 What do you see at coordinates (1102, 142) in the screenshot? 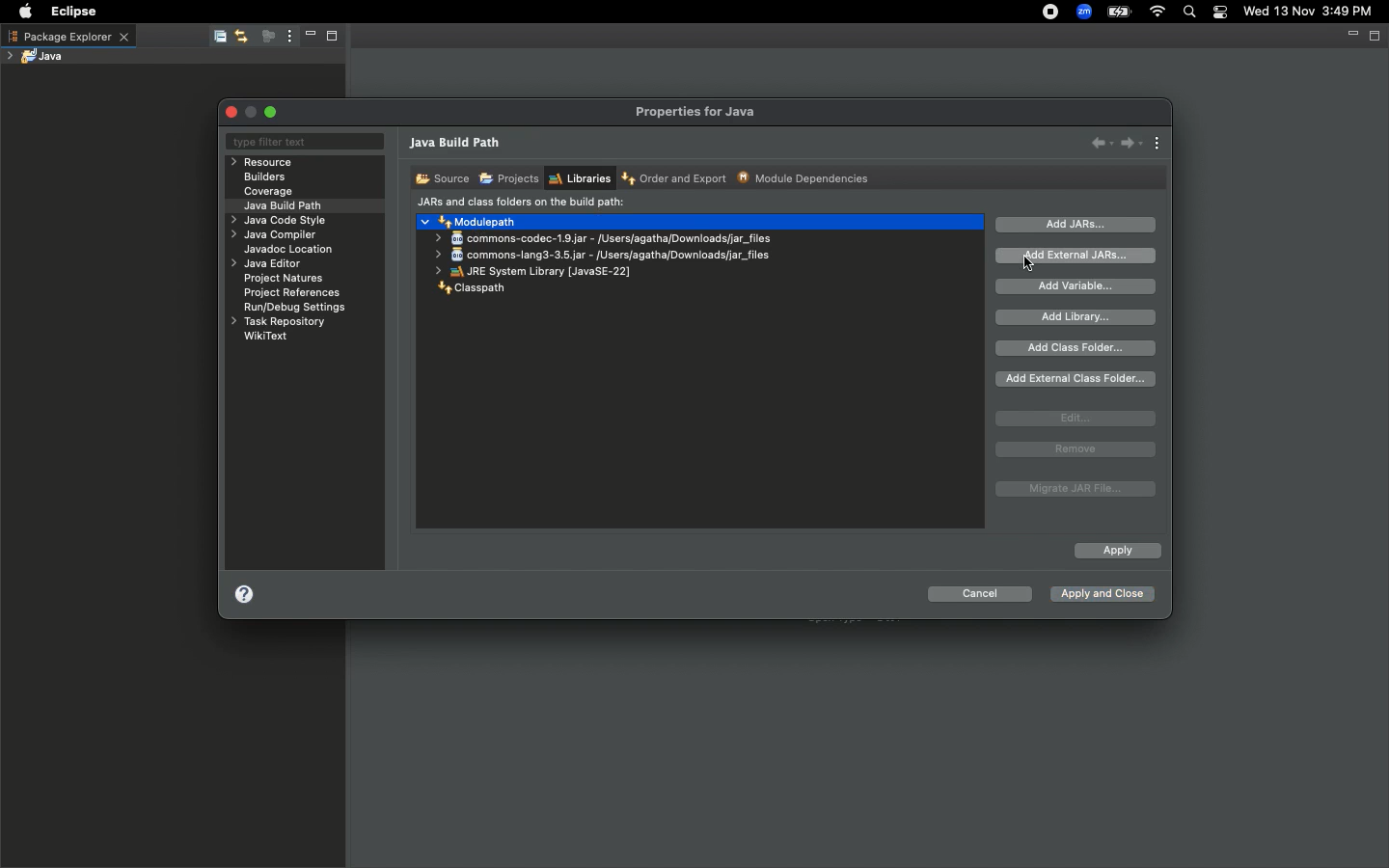
I see `Back` at bounding box center [1102, 142].